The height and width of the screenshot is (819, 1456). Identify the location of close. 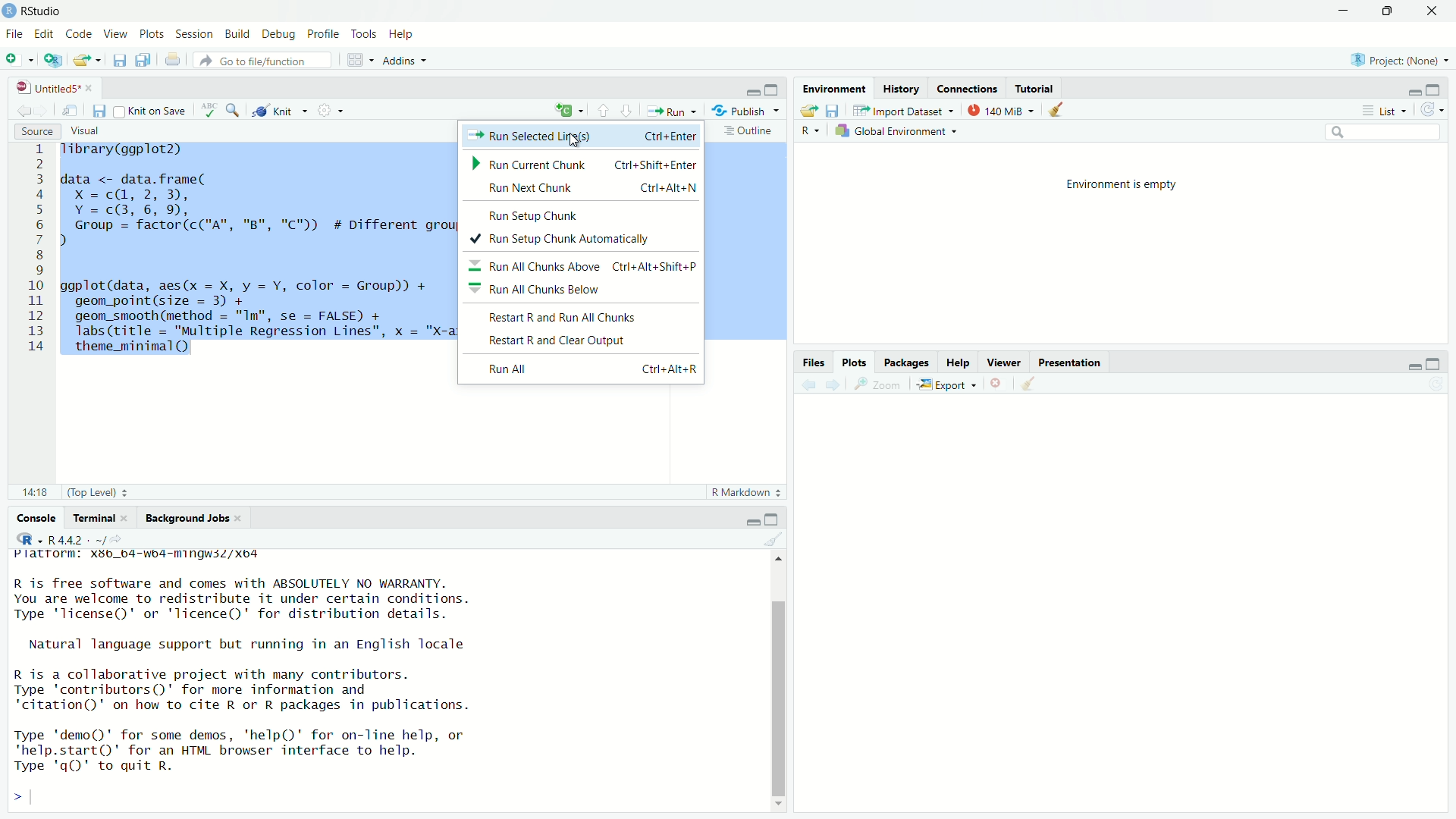
(1438, 11).